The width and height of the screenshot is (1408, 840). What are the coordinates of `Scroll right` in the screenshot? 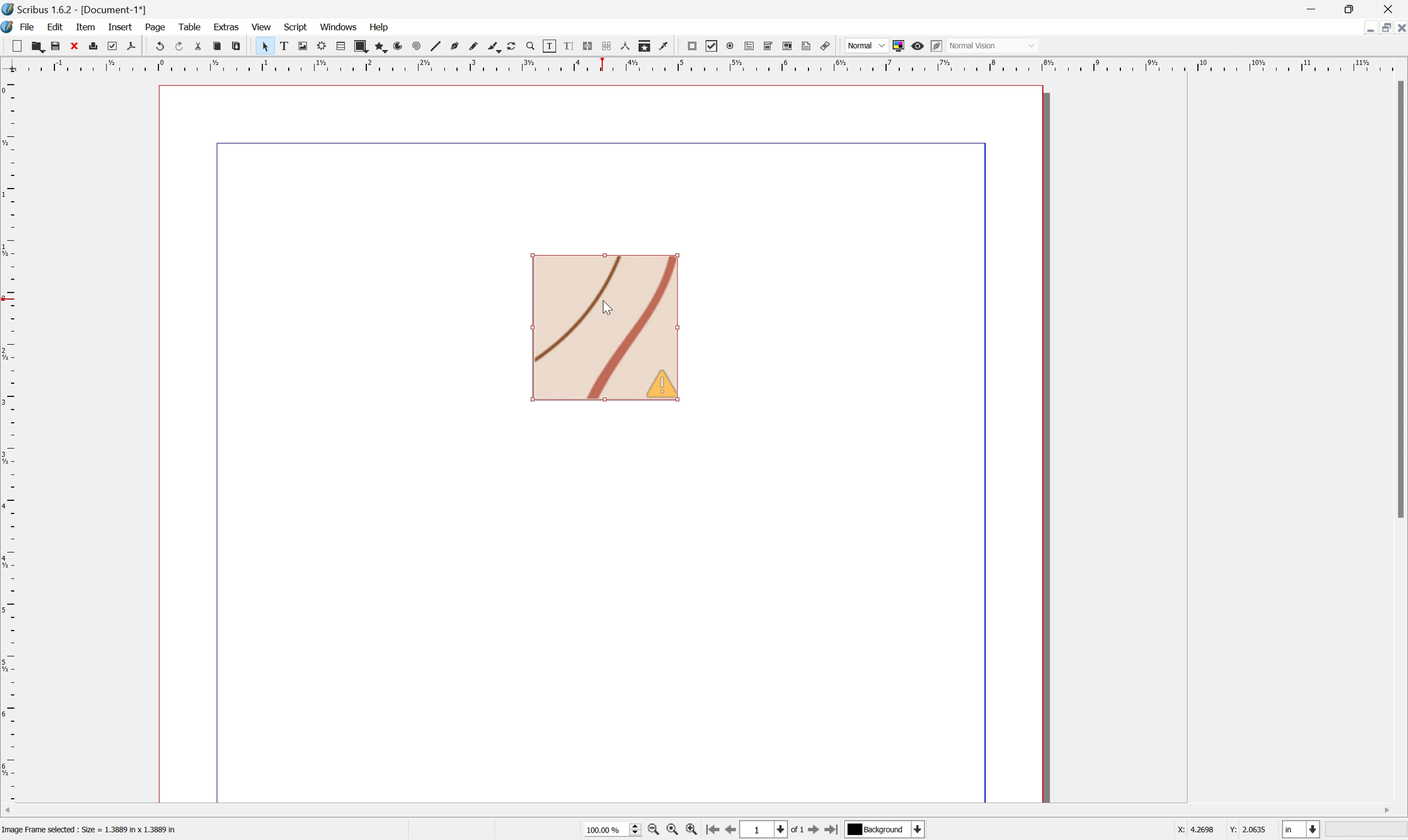 It's located at (1385, 808).